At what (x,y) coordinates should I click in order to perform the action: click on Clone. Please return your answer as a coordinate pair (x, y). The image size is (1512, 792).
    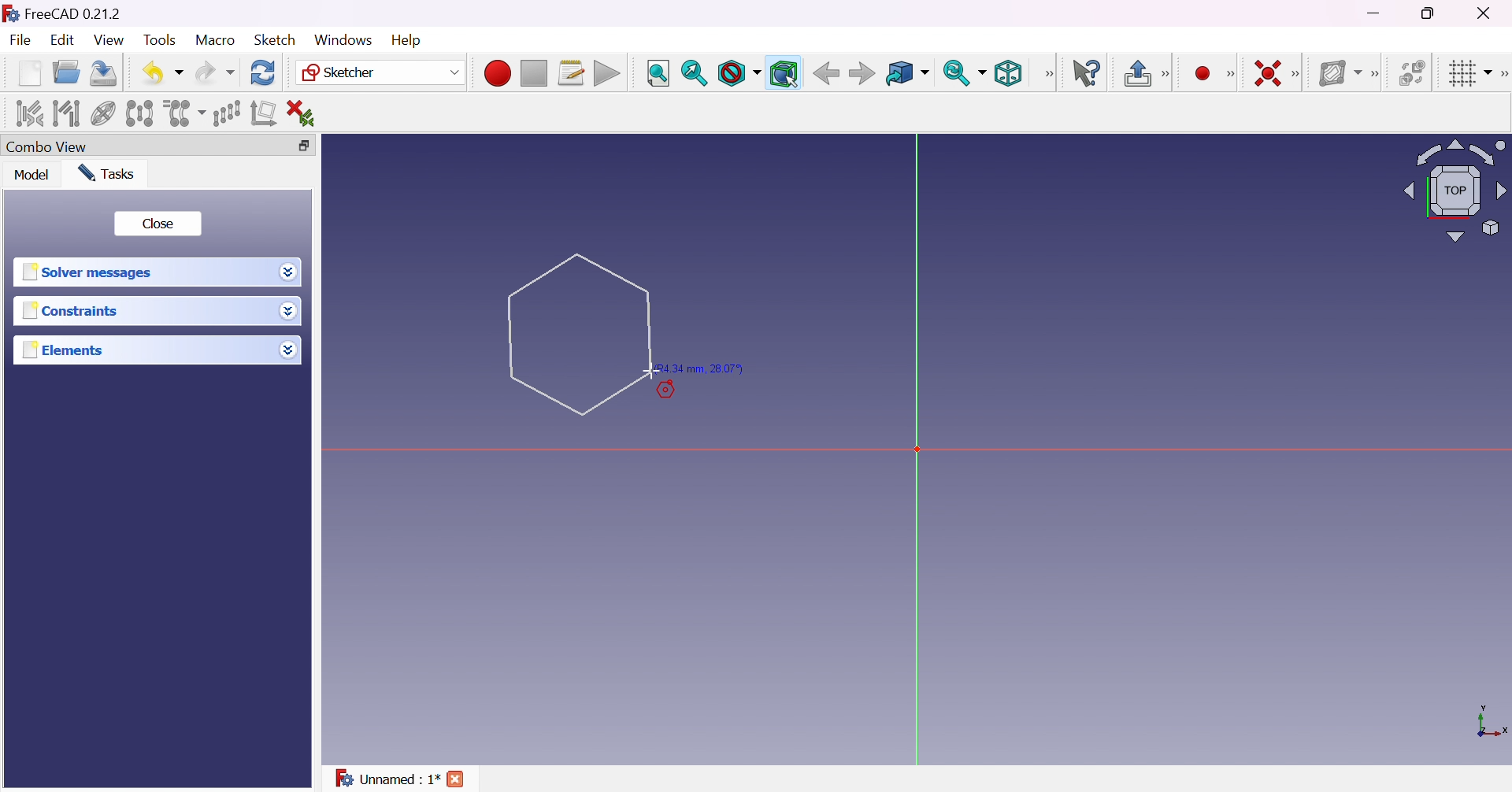
    Looking at the image, I should click on (183, 112).